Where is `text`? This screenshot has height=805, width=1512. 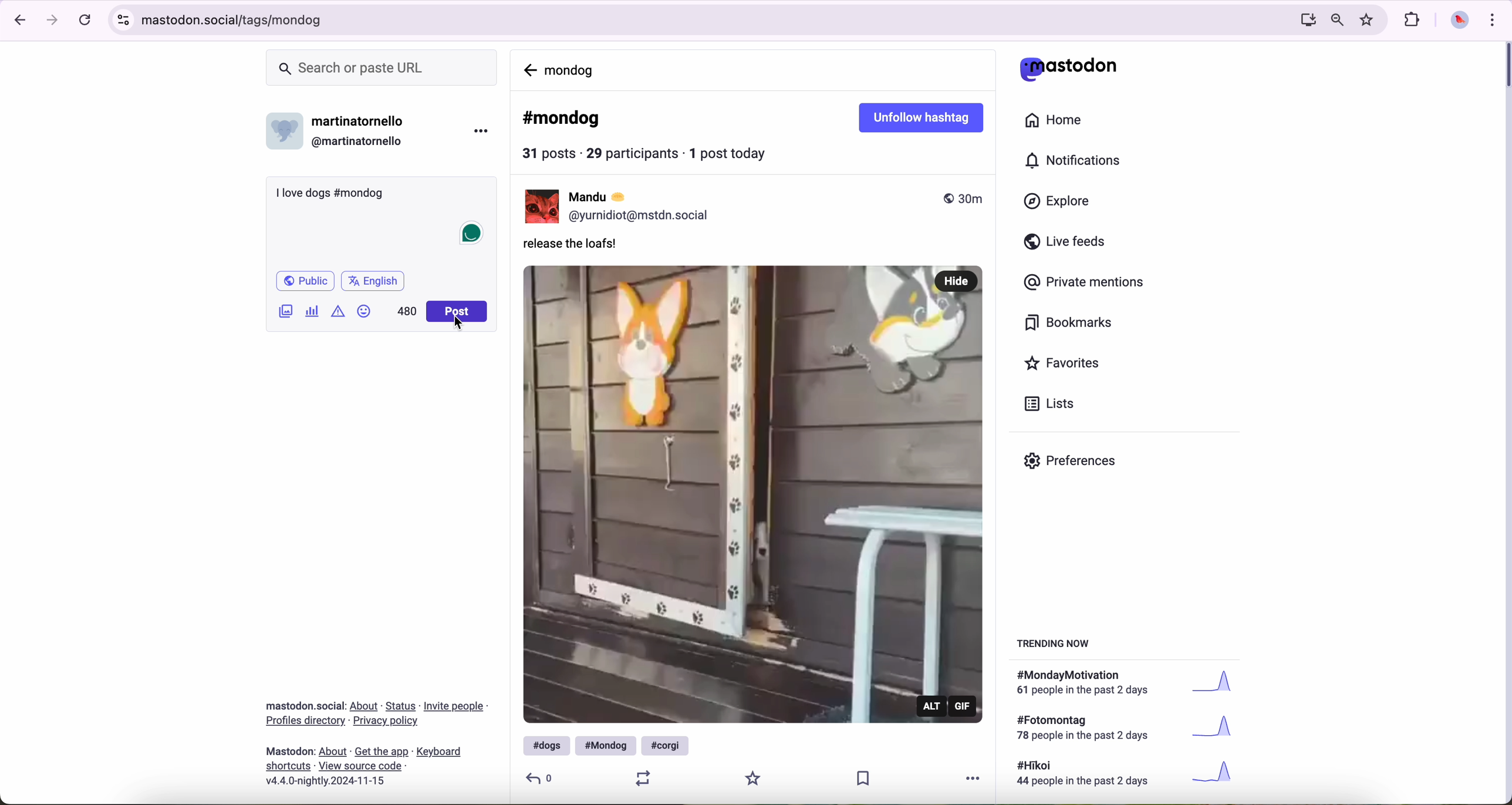
text is located at coordinates (1089, 684).